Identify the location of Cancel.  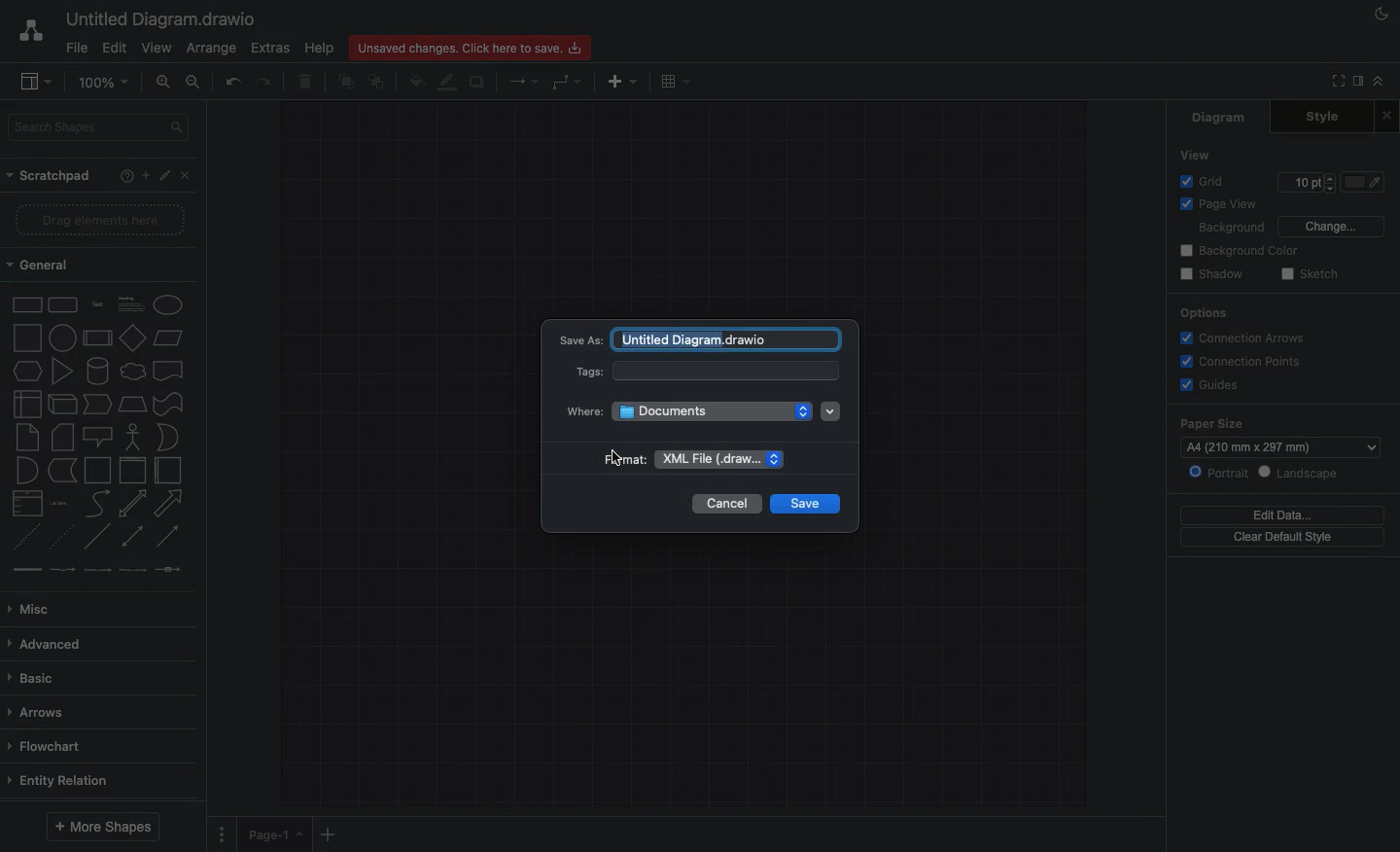
(726, 505).